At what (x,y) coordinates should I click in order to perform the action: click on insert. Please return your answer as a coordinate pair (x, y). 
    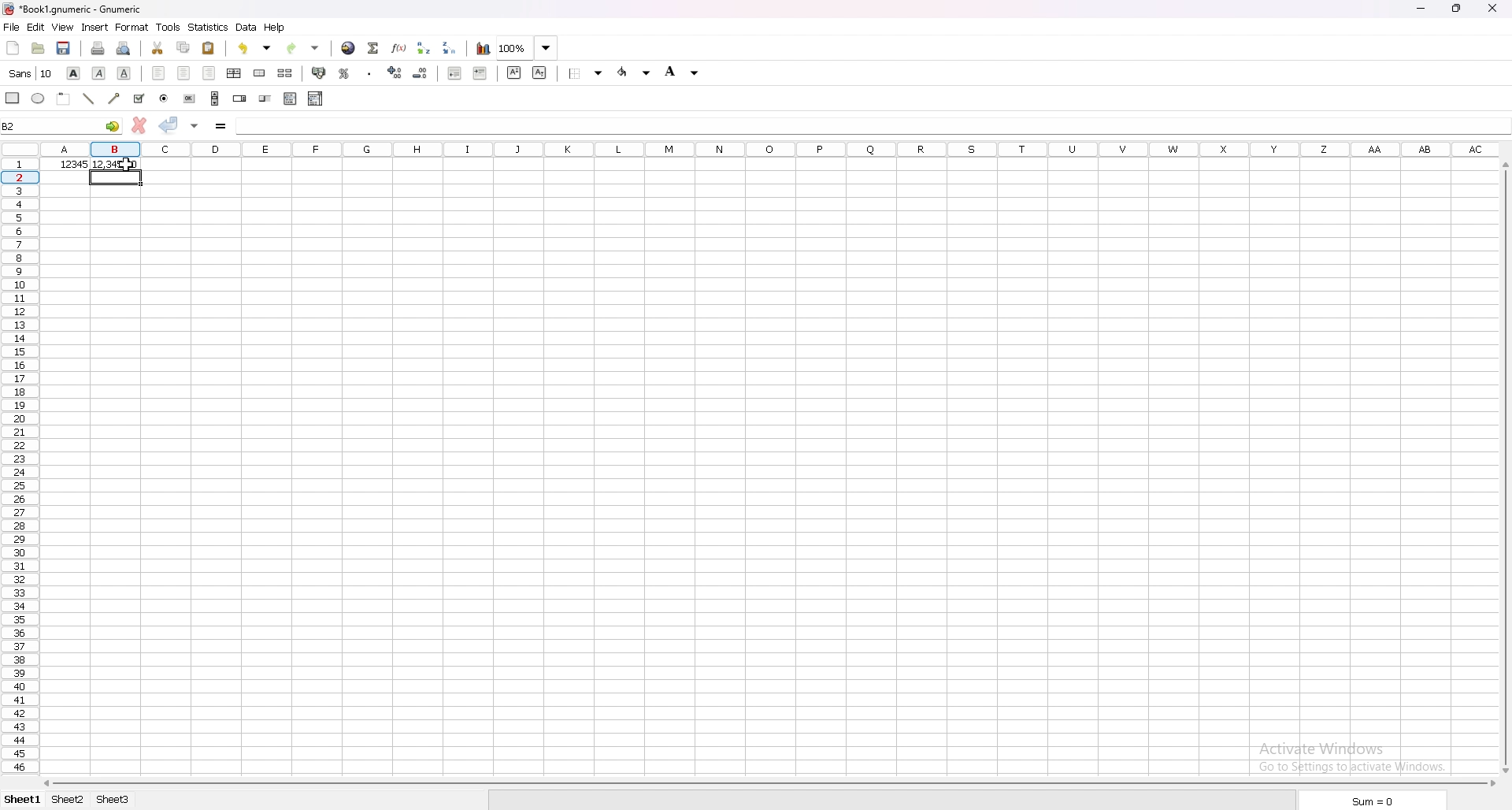
    Looking at the image, I should click on (95, 28).